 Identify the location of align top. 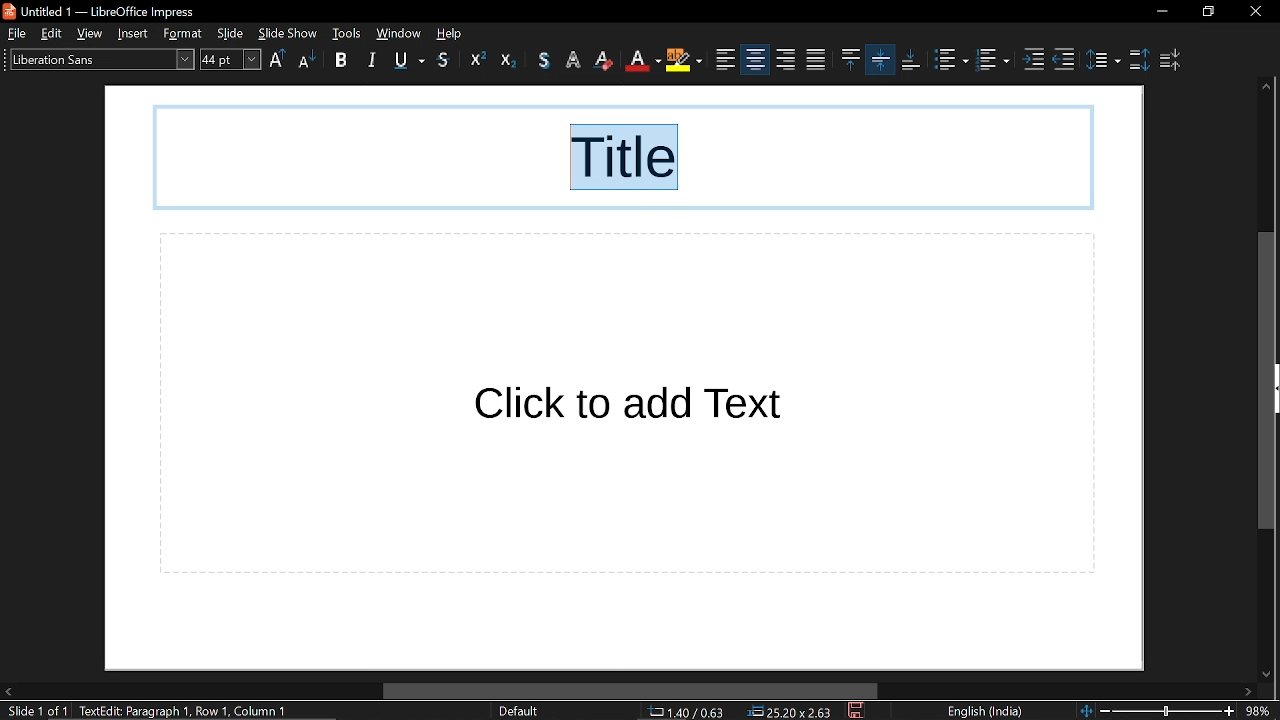
(814, 60).